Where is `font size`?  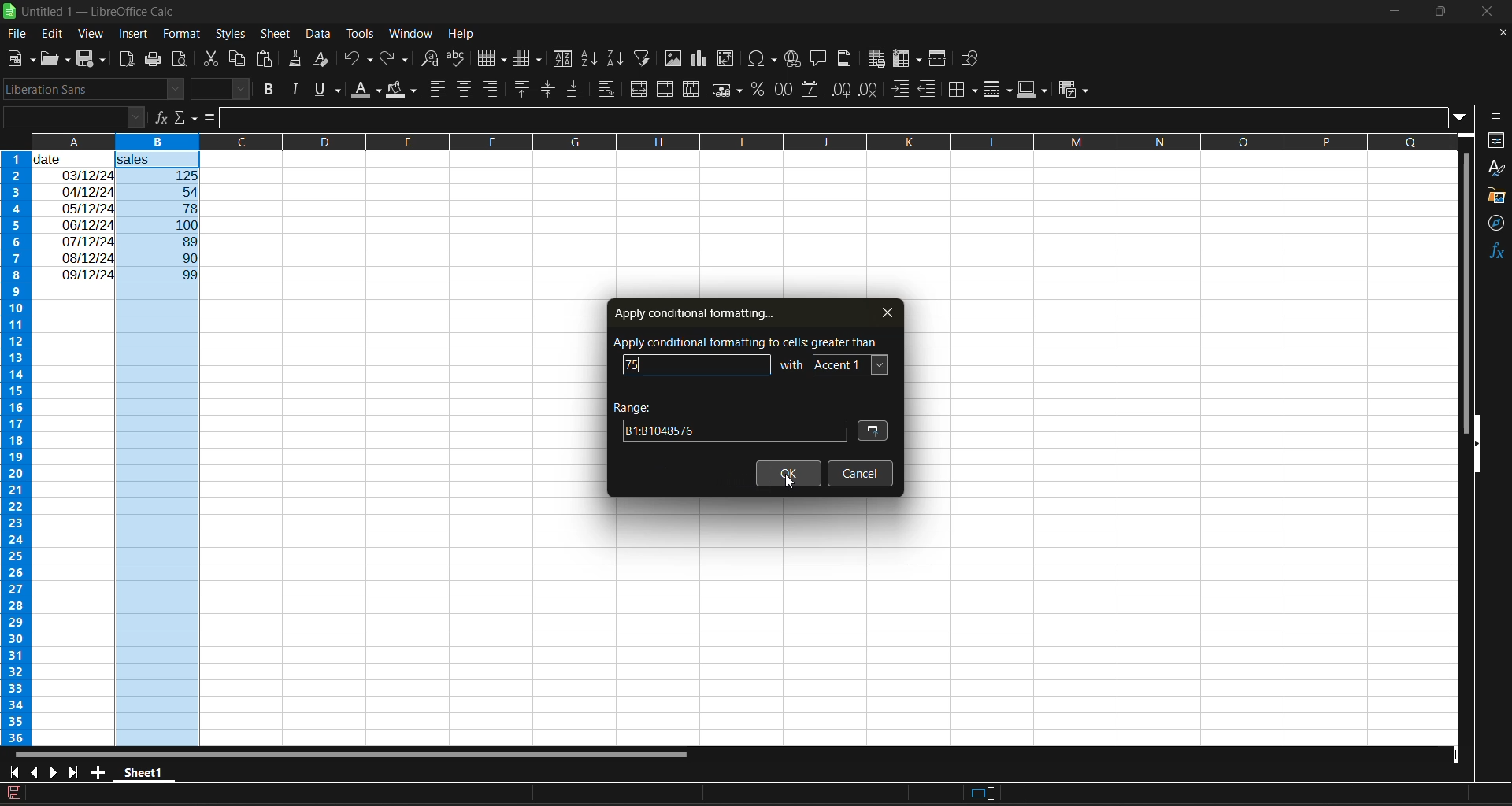 font size is located at coordinates (220, 89).